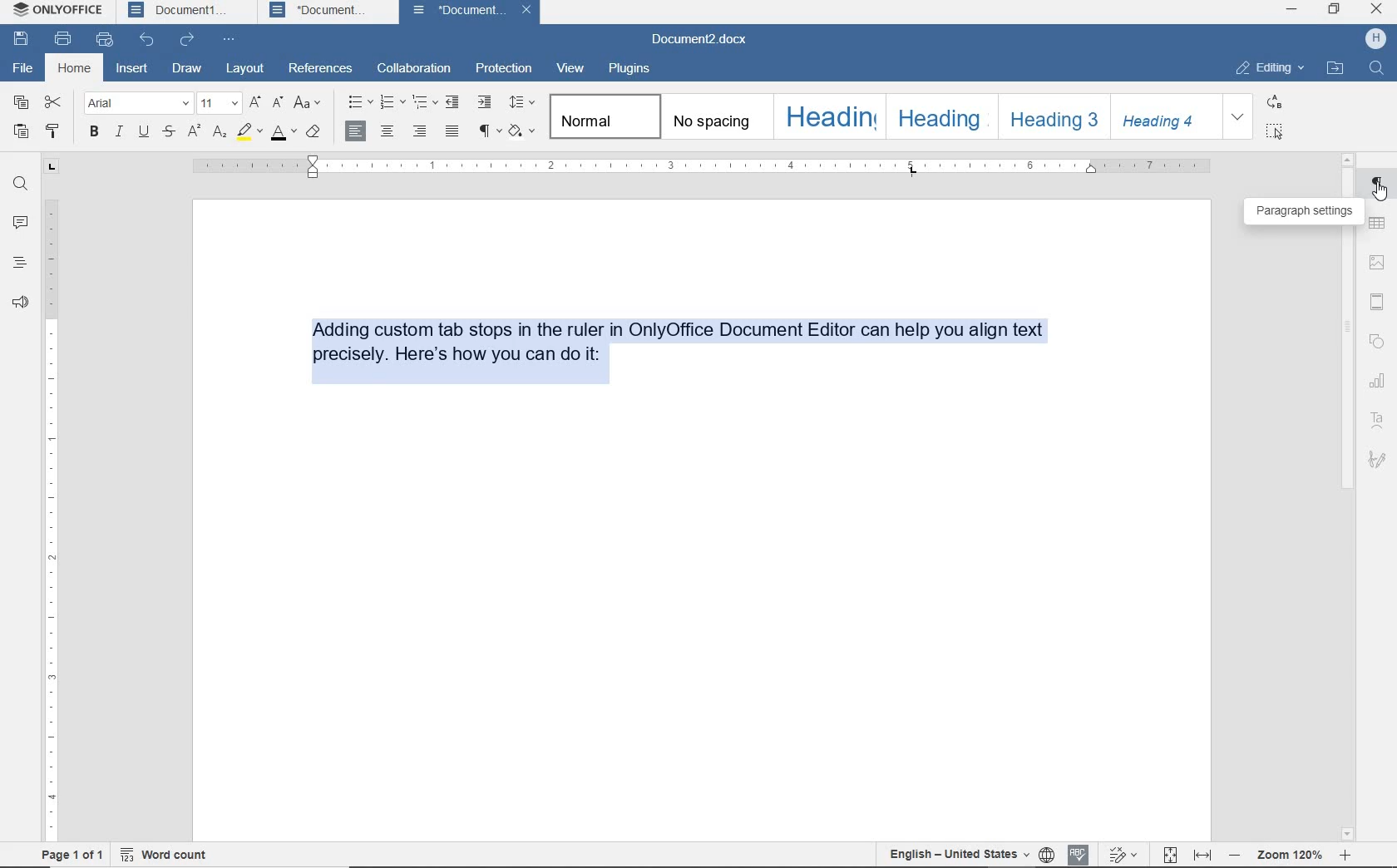  What do you see at coordinates (1121, 855) in the screenshot?
I see `track changes` at bounding box center [1121, 855].